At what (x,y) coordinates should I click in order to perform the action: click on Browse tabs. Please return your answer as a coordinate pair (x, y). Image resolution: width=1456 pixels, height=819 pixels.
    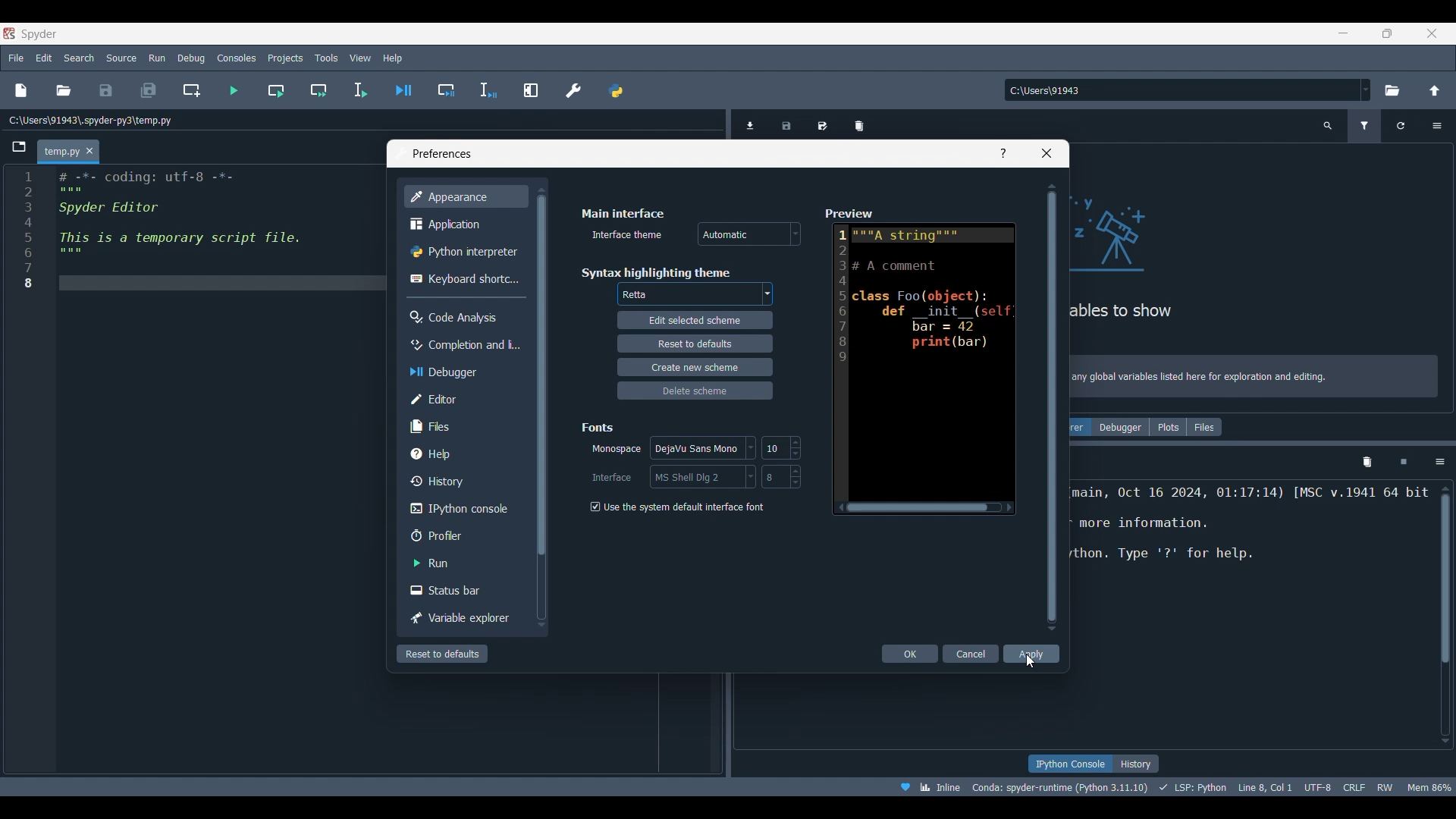
    Looking at the image, I should click on (20, 147).